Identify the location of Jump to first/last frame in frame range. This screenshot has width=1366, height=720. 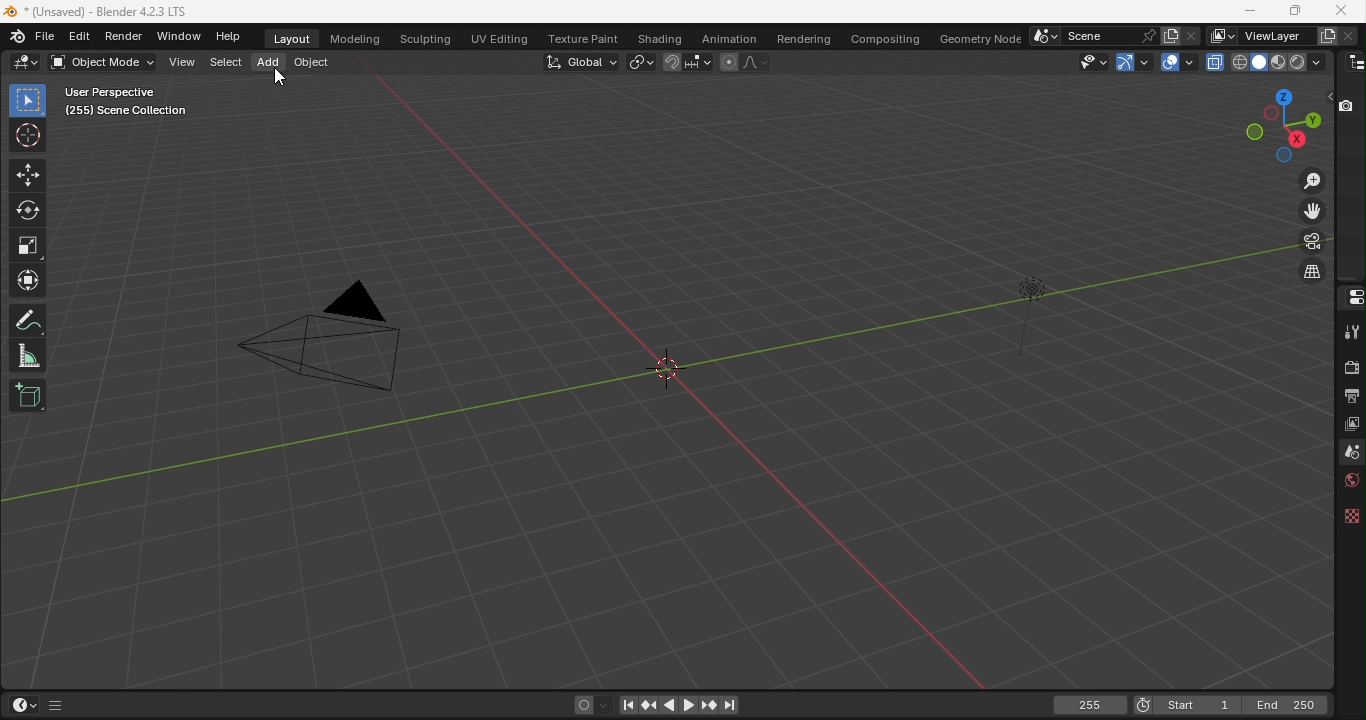
(731, 706).